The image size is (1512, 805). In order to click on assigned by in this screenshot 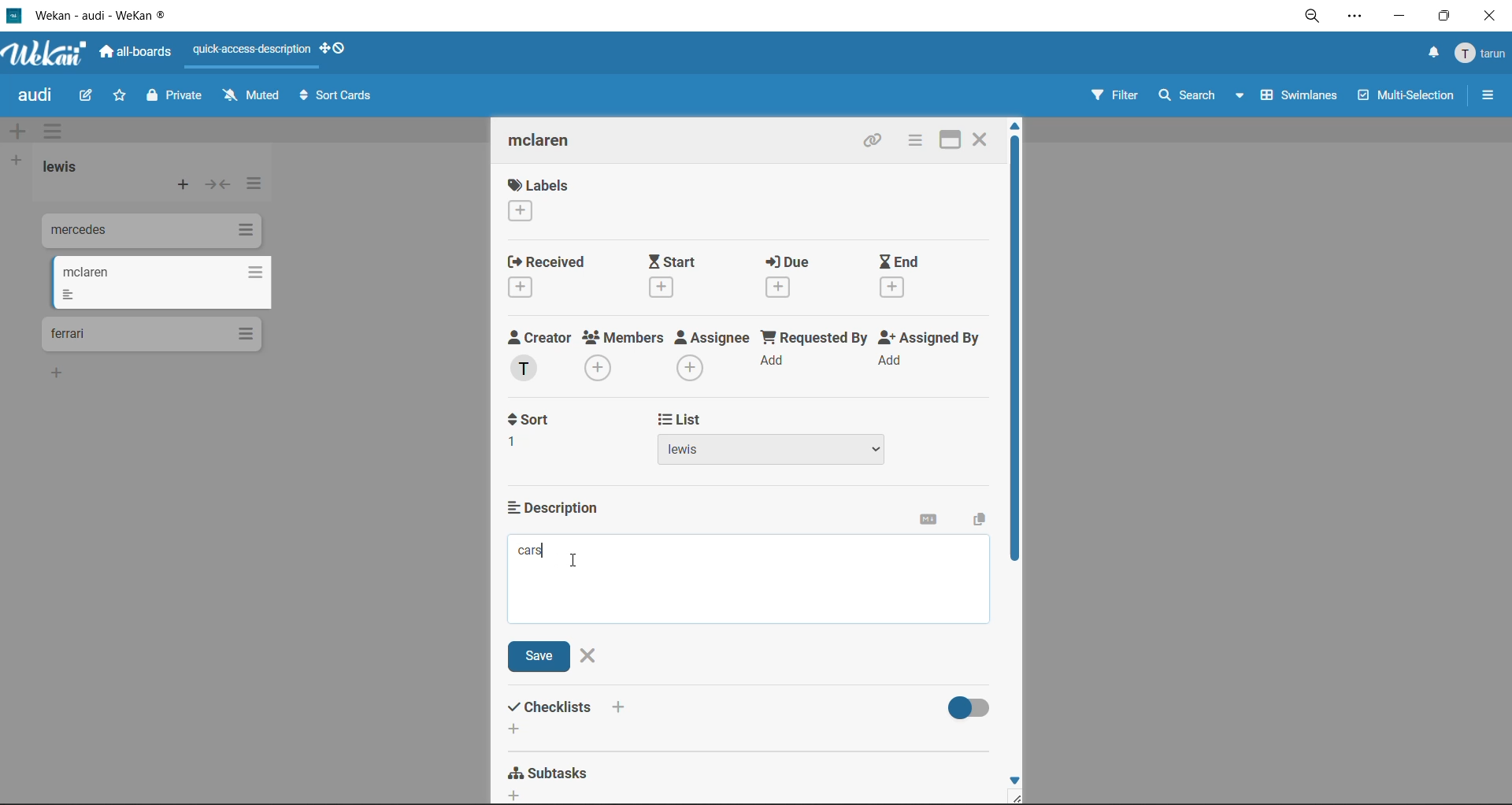, I will do `click(935, 353)`.